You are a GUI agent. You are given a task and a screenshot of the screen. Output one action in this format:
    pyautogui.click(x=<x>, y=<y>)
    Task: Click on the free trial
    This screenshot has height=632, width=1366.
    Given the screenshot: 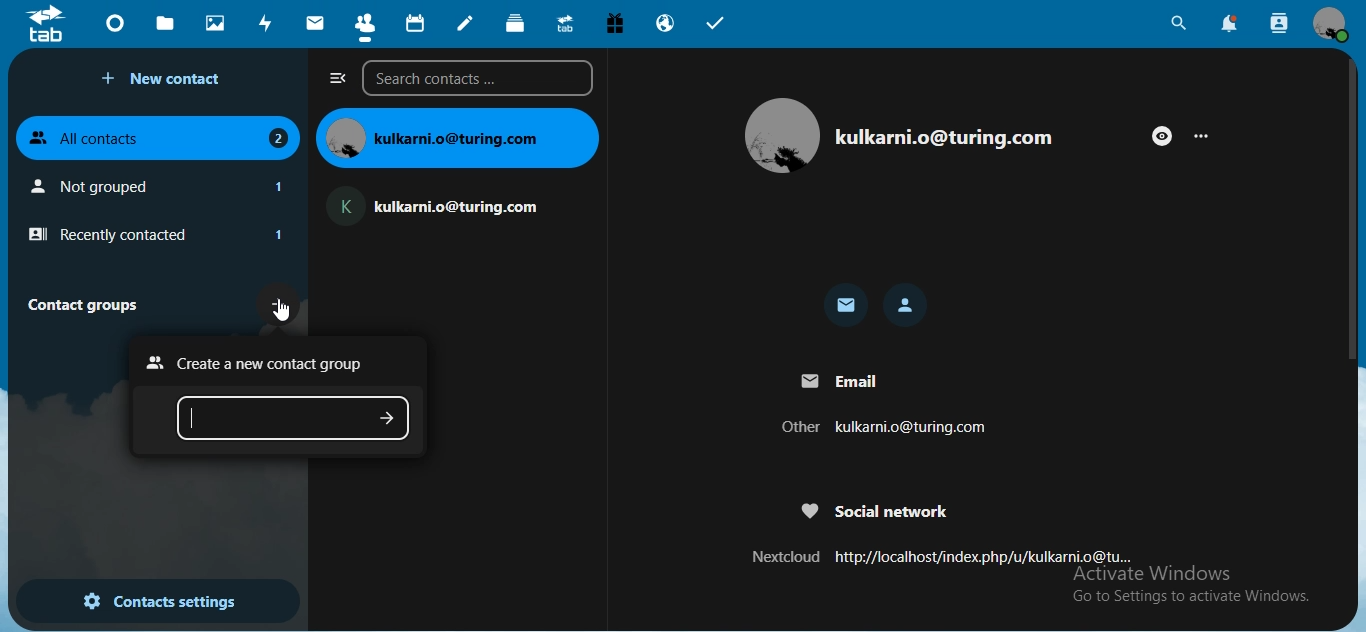 What is the action you would take?
    pyautogui.click(x=618, y=24)
    